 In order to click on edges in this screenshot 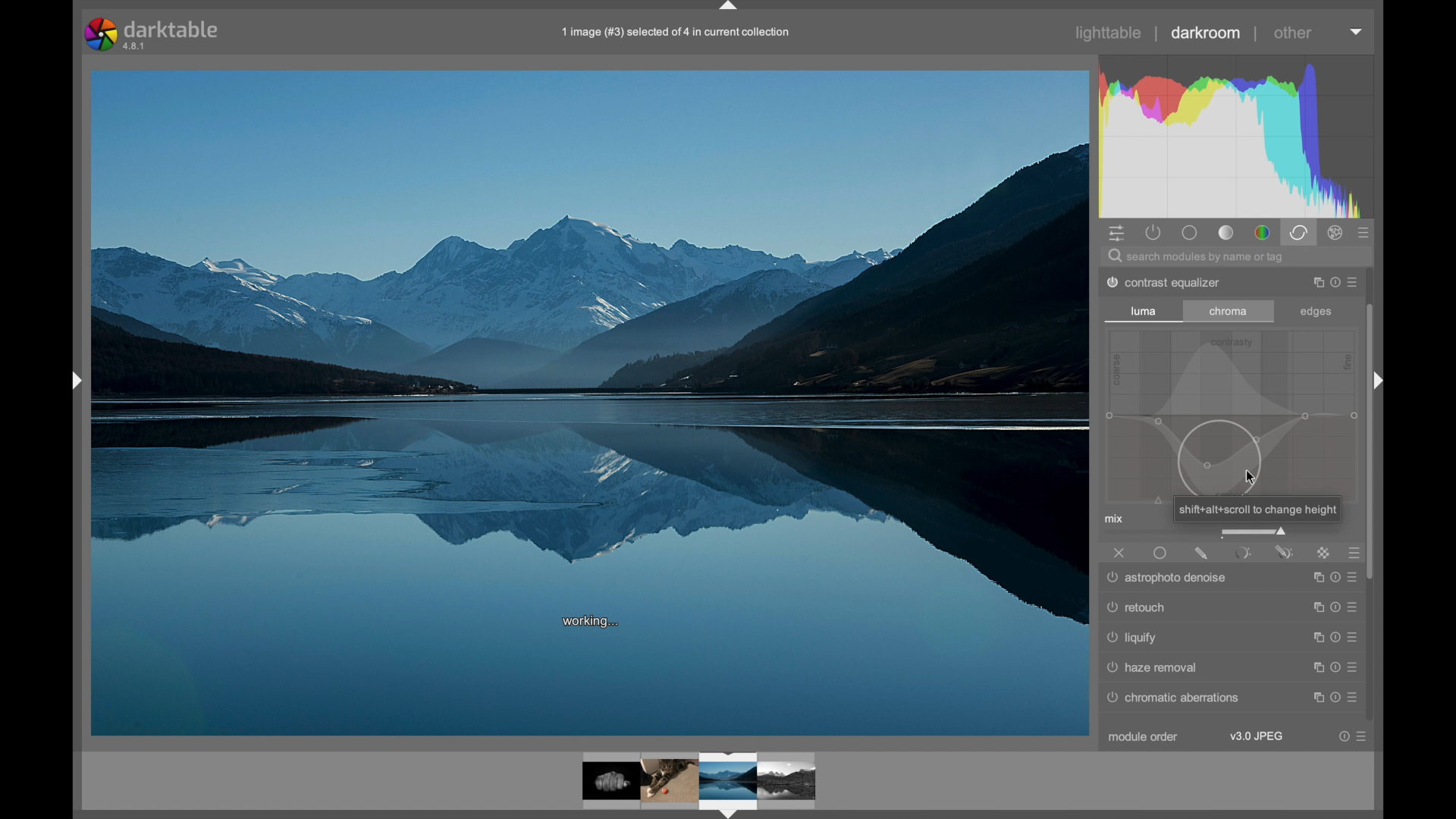, I will do `click(1316, 312)`.